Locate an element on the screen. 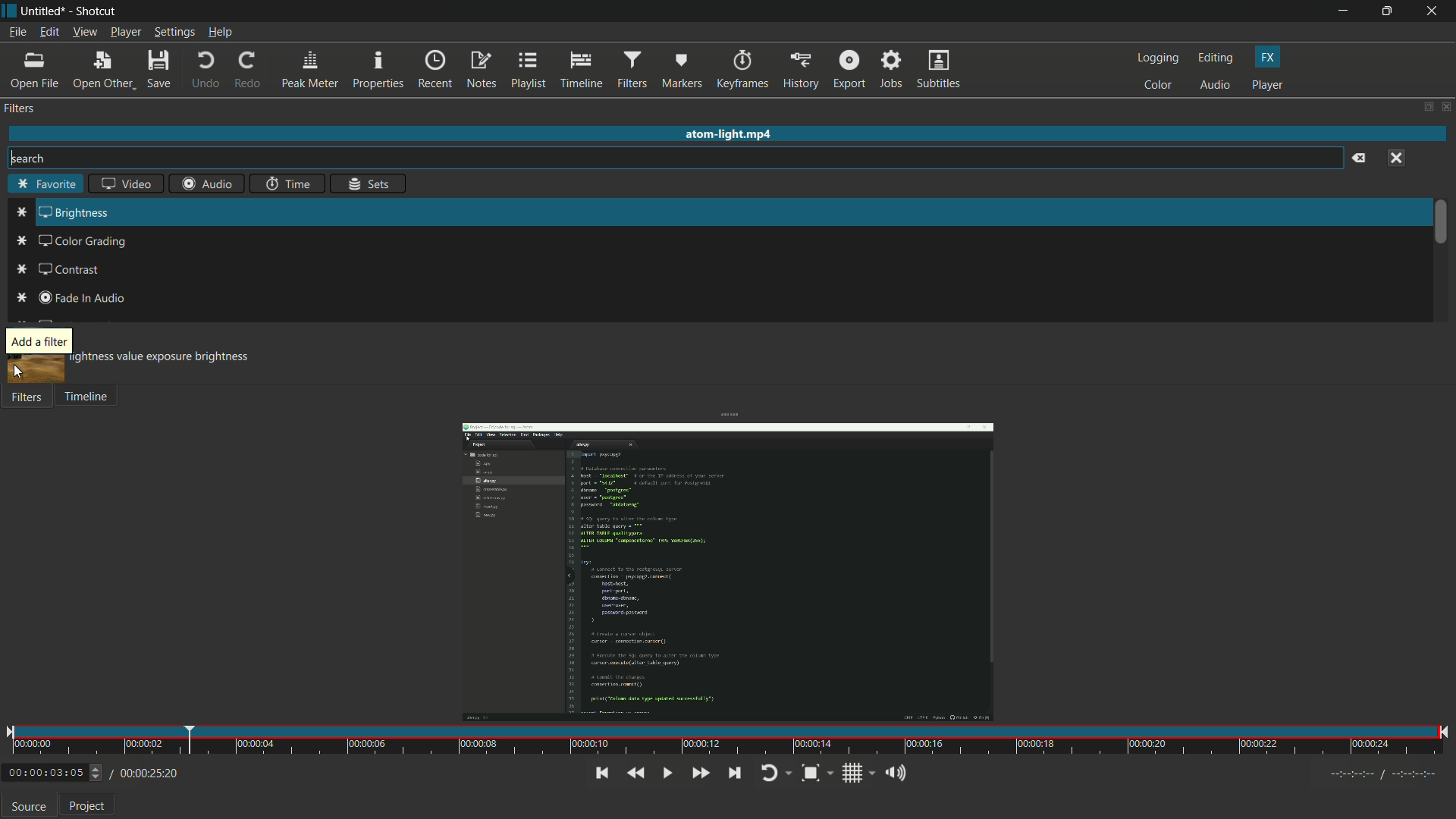  keyframes is located at coordinates (742, 69).